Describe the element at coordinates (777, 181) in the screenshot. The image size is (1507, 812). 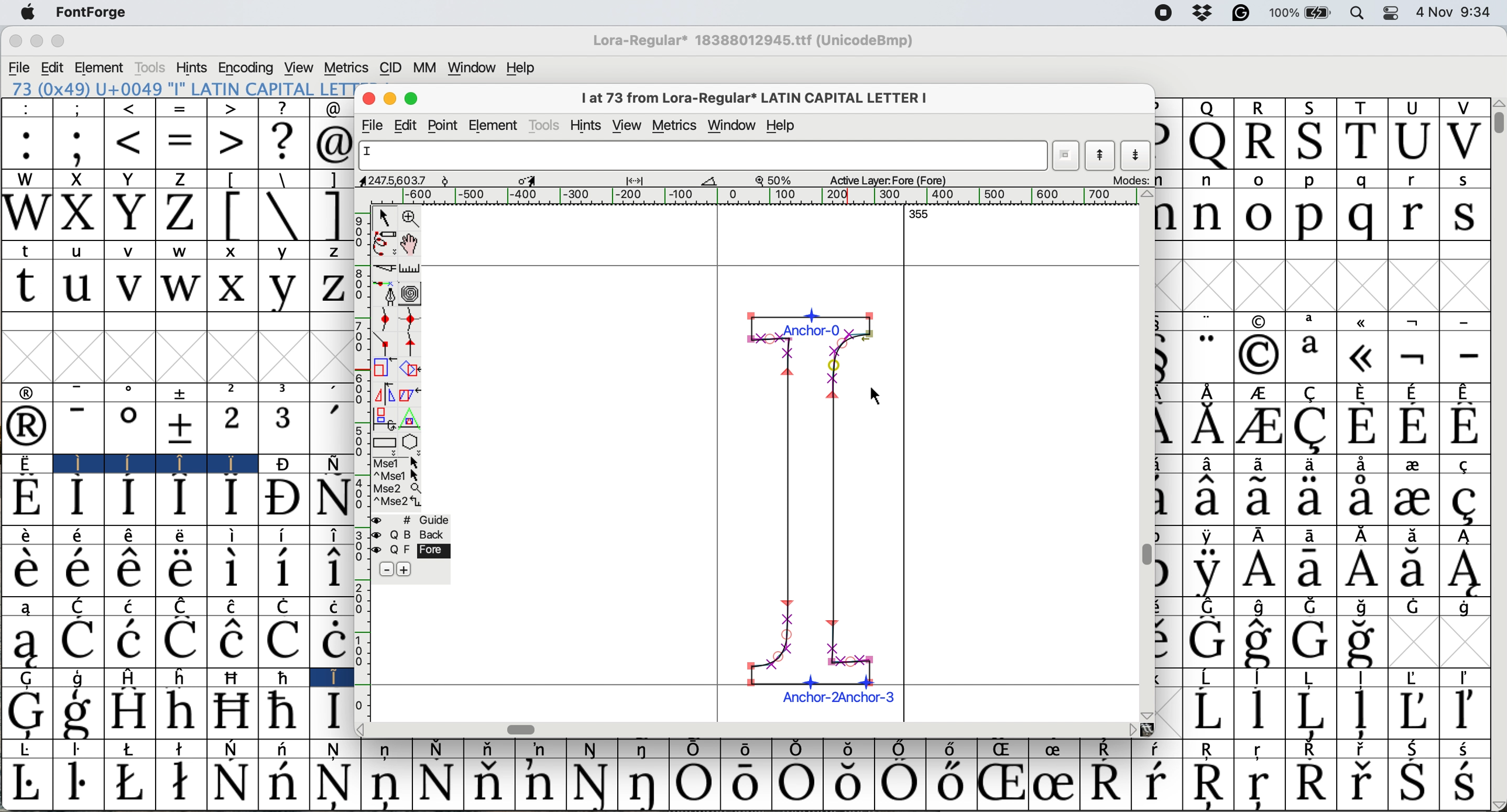
I see `zoom scale` at that location.